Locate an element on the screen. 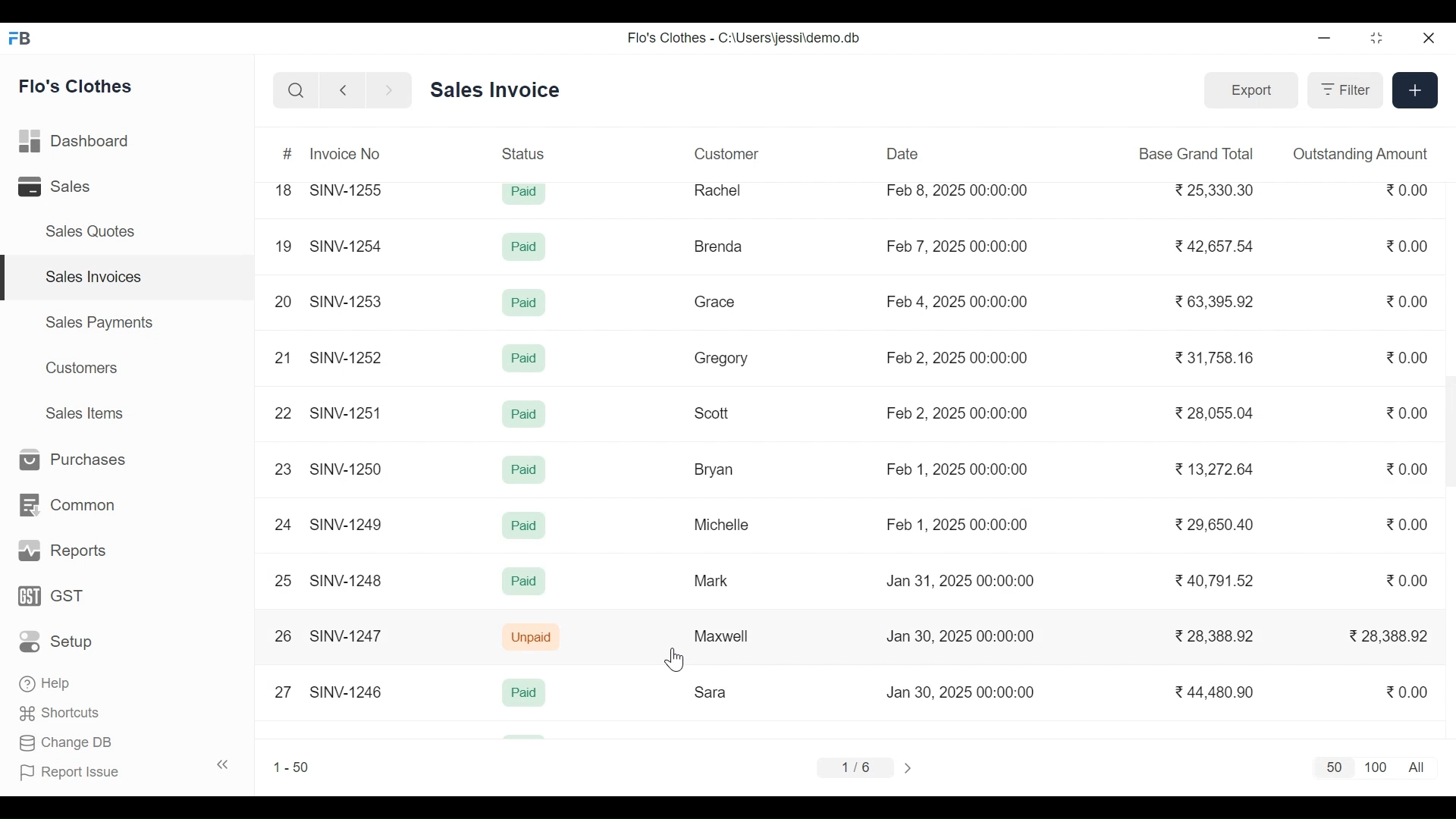 The width and height of the screenshot is (1456, 819). 0.00 is located at coordinates (1409, 301).